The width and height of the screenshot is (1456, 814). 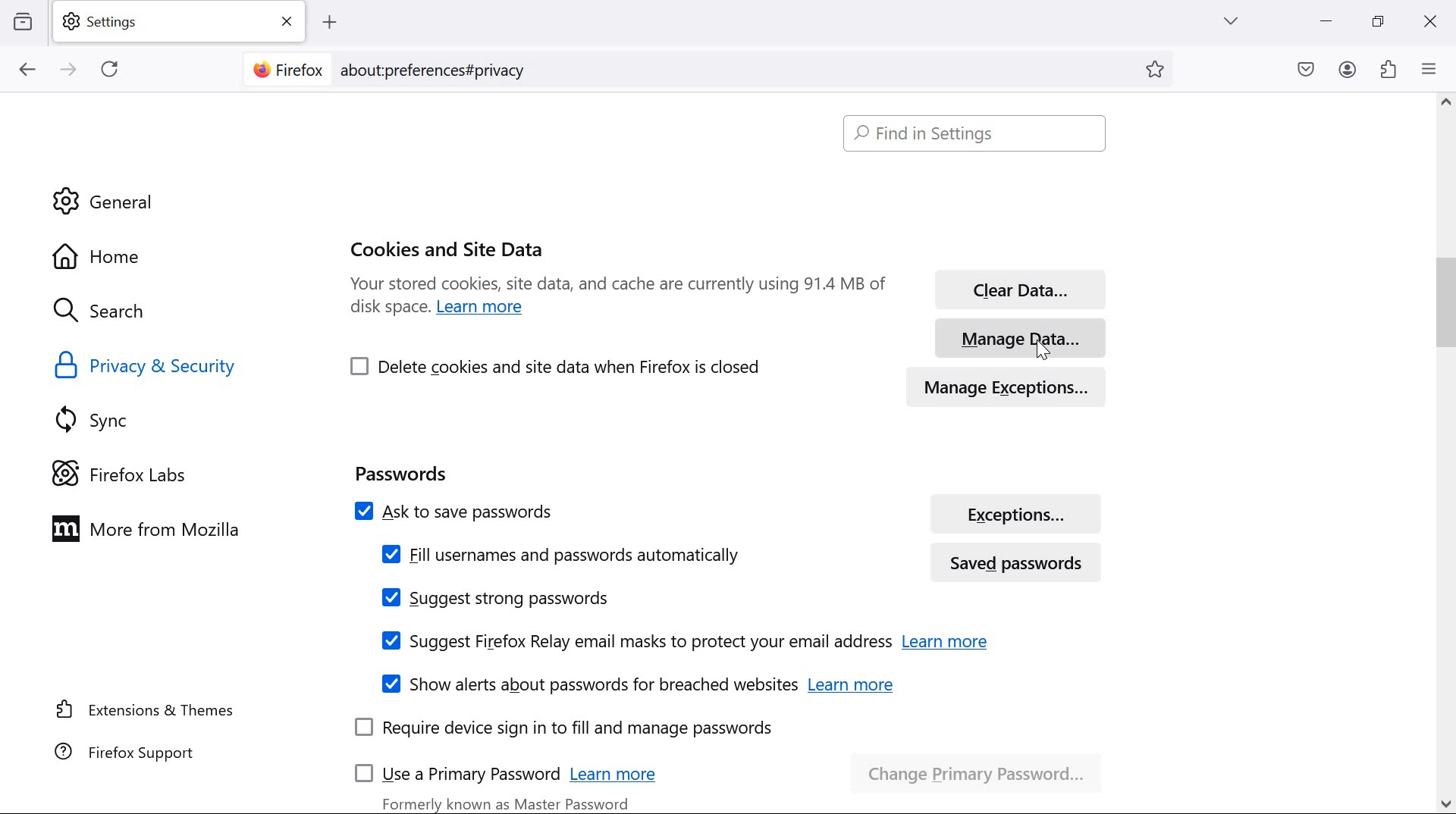 I want to click on Passwords, so click(x=400, y=471).